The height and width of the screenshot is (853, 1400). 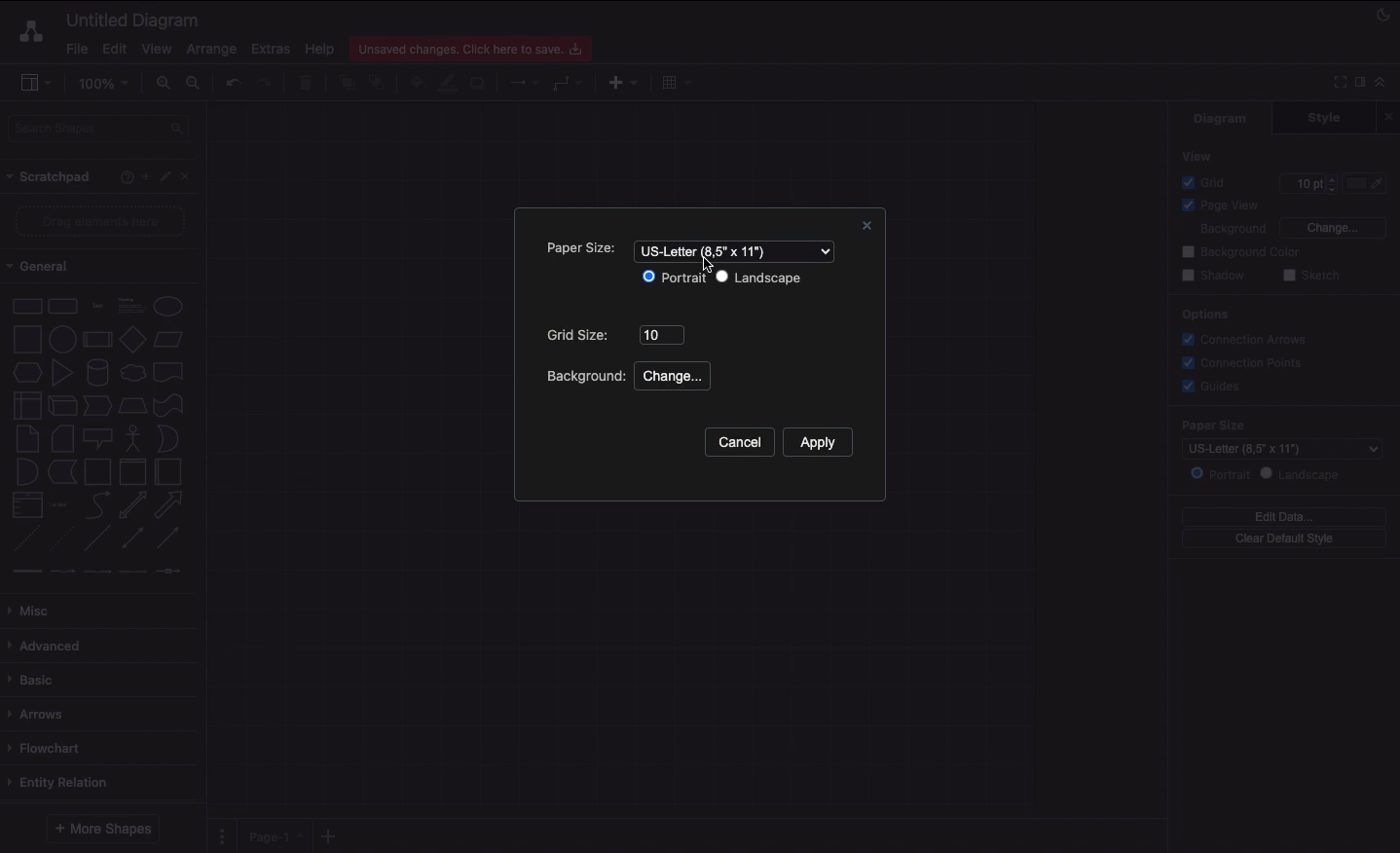 What do you see at coordinates (1367, 183) in the screenshot?
I see `Color` at bounding box center [1367, 183].